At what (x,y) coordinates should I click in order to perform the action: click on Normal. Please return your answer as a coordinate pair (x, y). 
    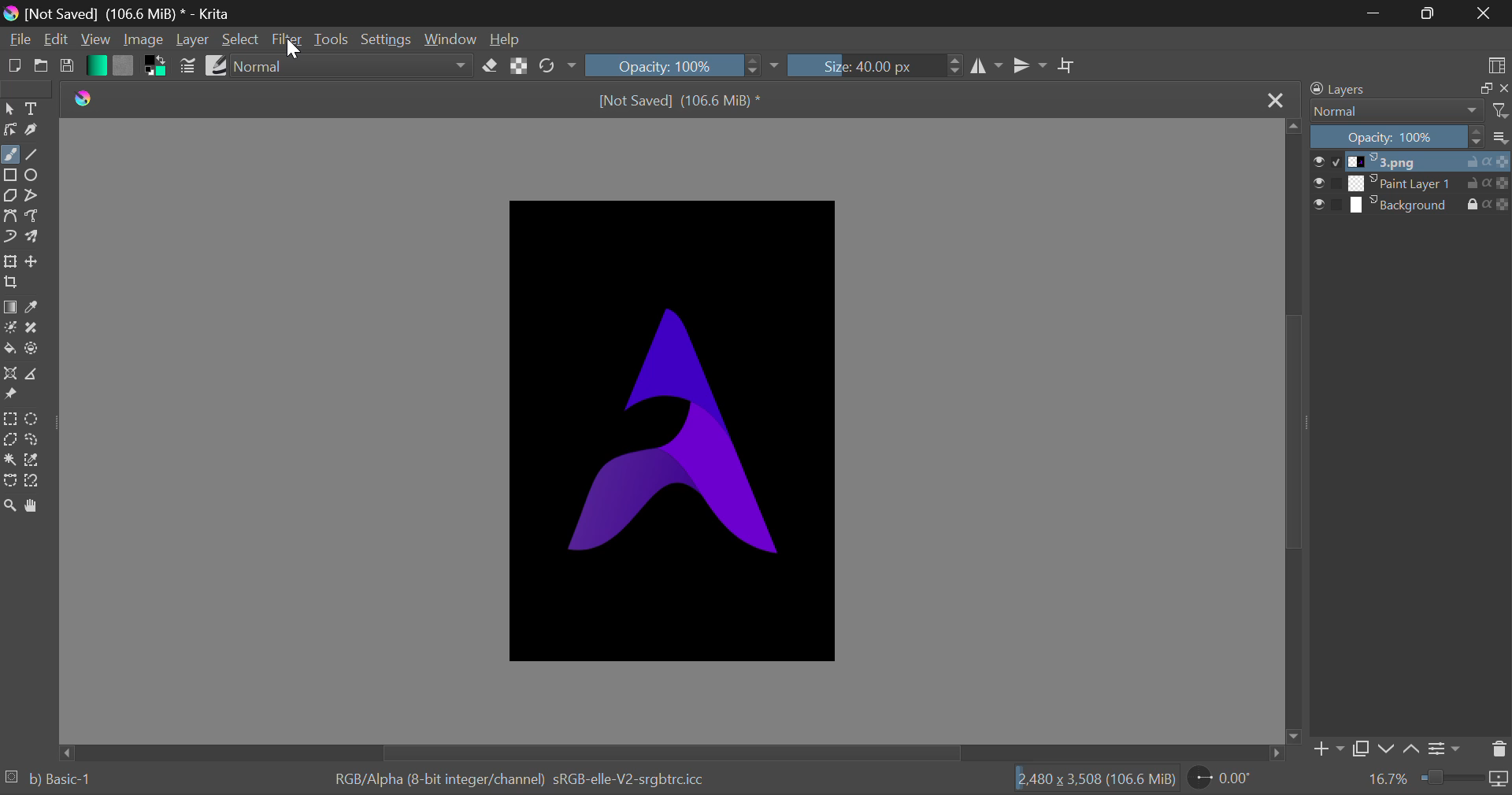
    Looking at the image, I should click on (1395, 111).